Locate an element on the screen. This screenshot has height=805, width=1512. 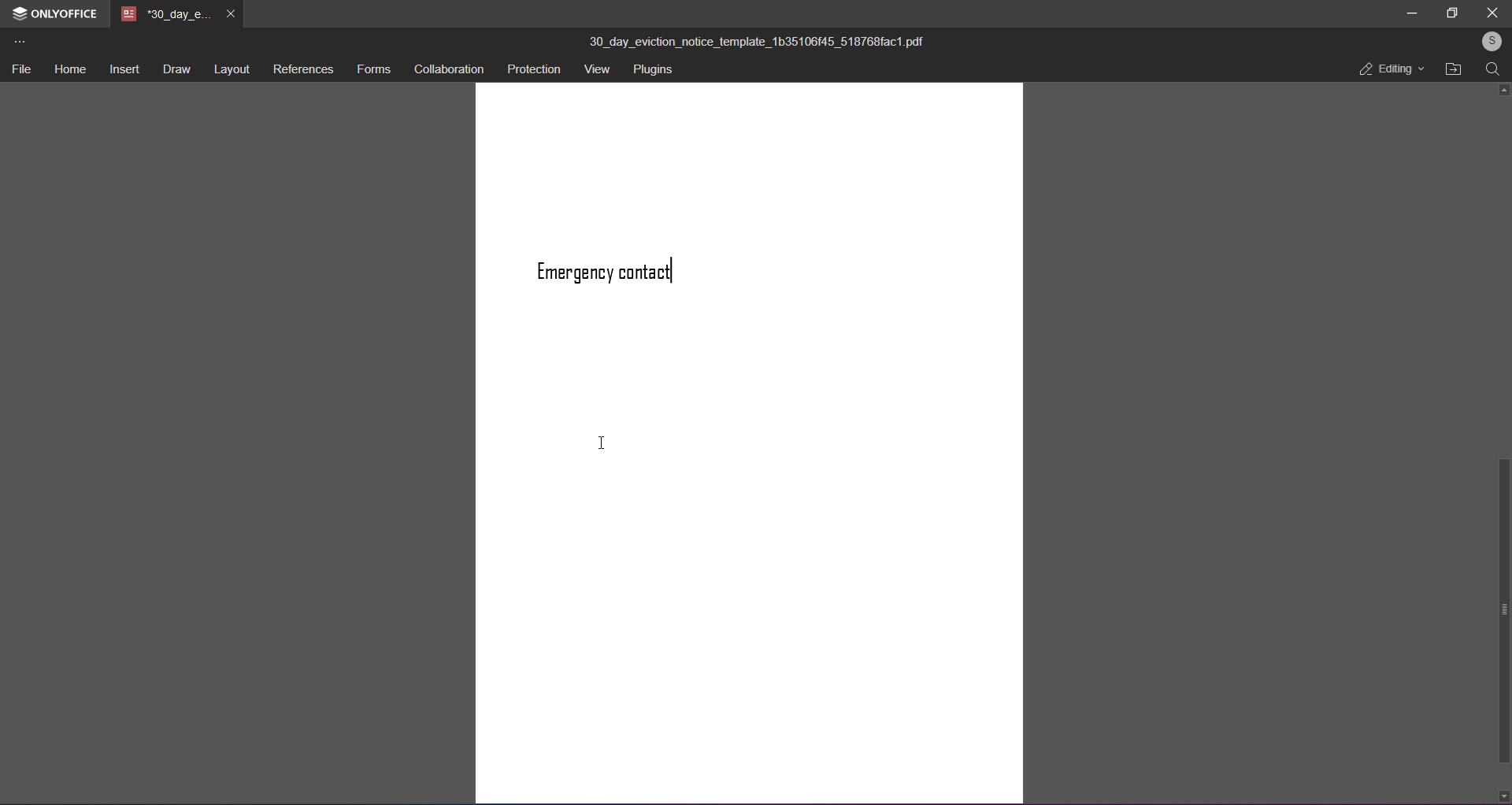
text is located at coordinates (619, 270).